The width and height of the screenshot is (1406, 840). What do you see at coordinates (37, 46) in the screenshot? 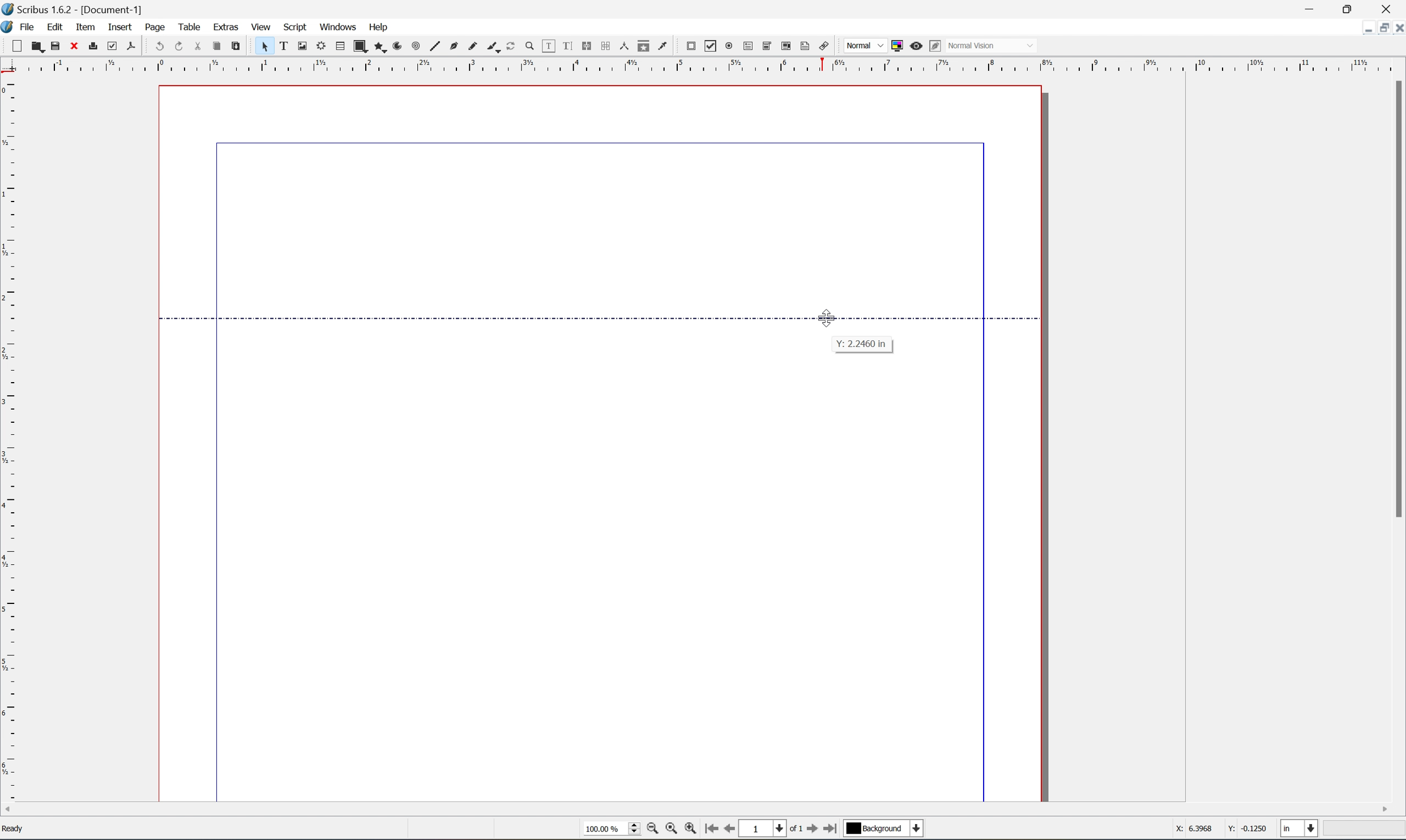
I see `open` at bounding box center [37, 46].